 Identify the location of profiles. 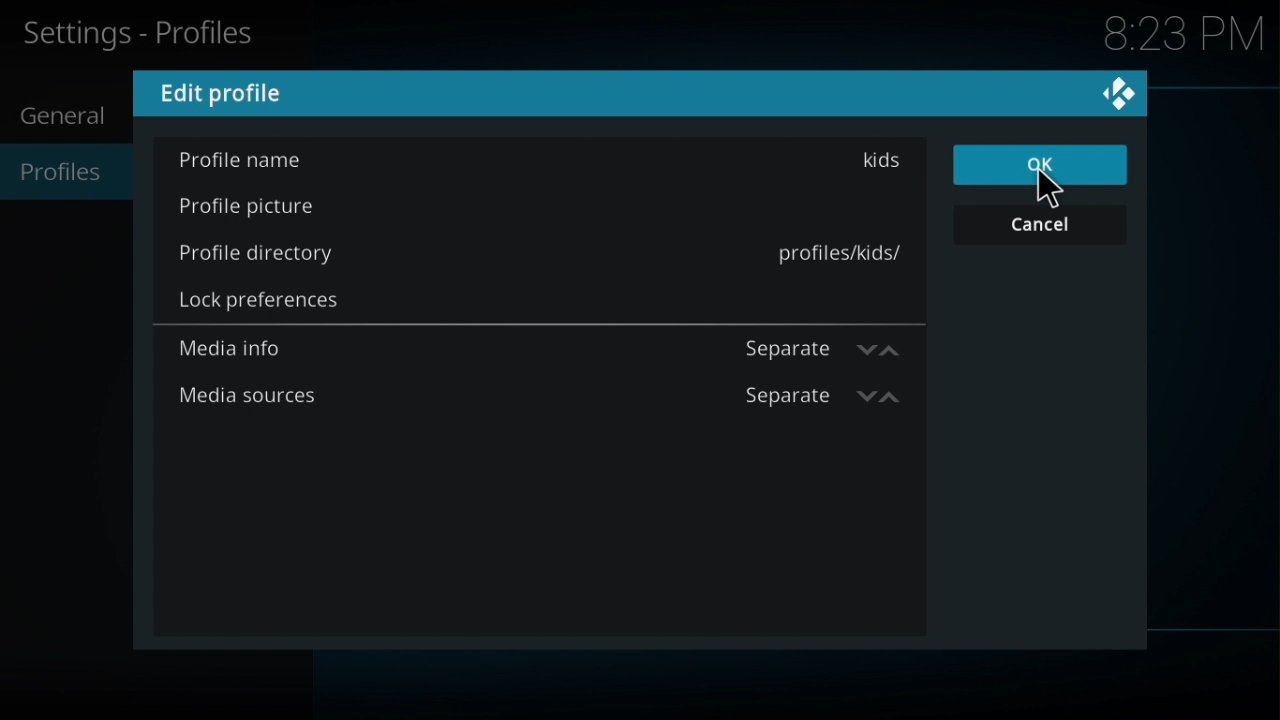
(63, 173).